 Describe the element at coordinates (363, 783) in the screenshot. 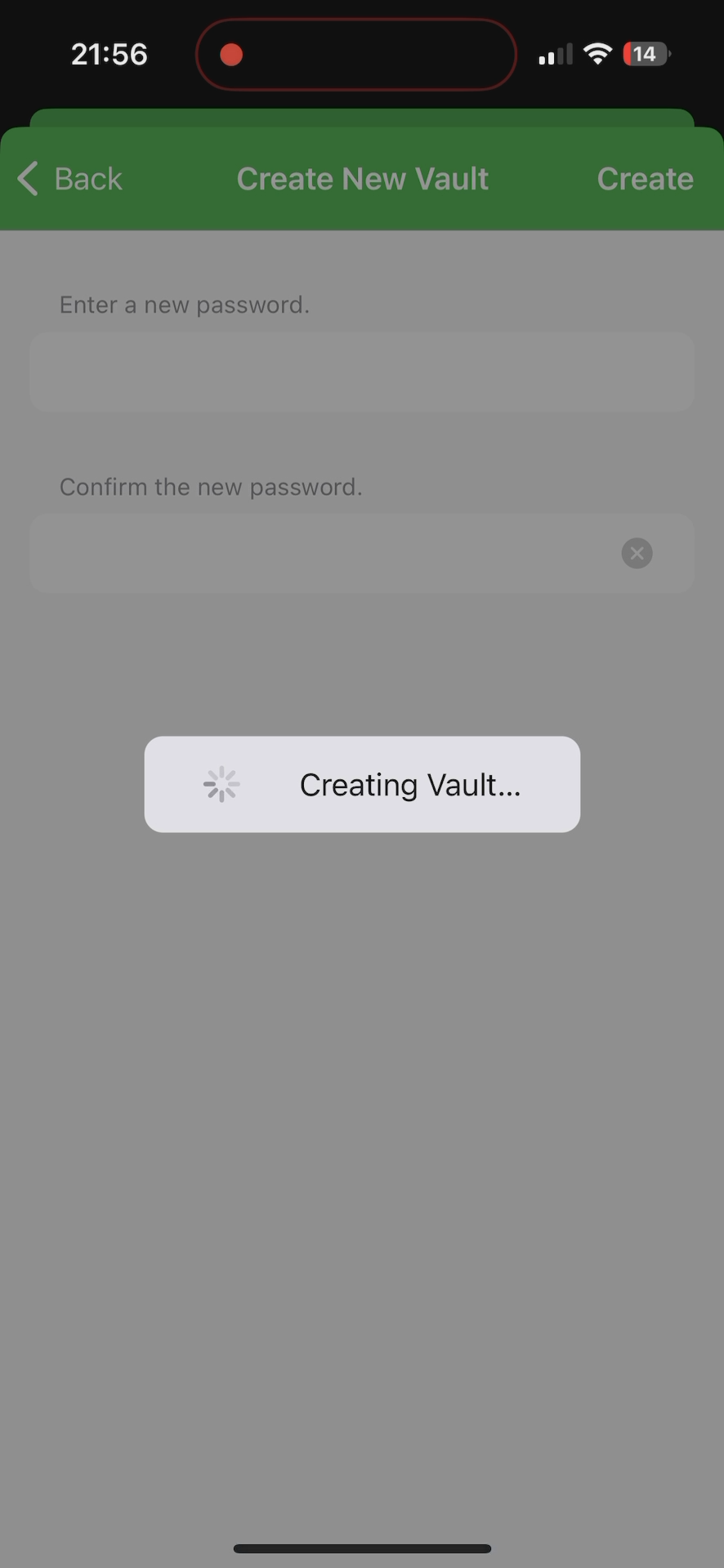

I see `creating vault` at that location.